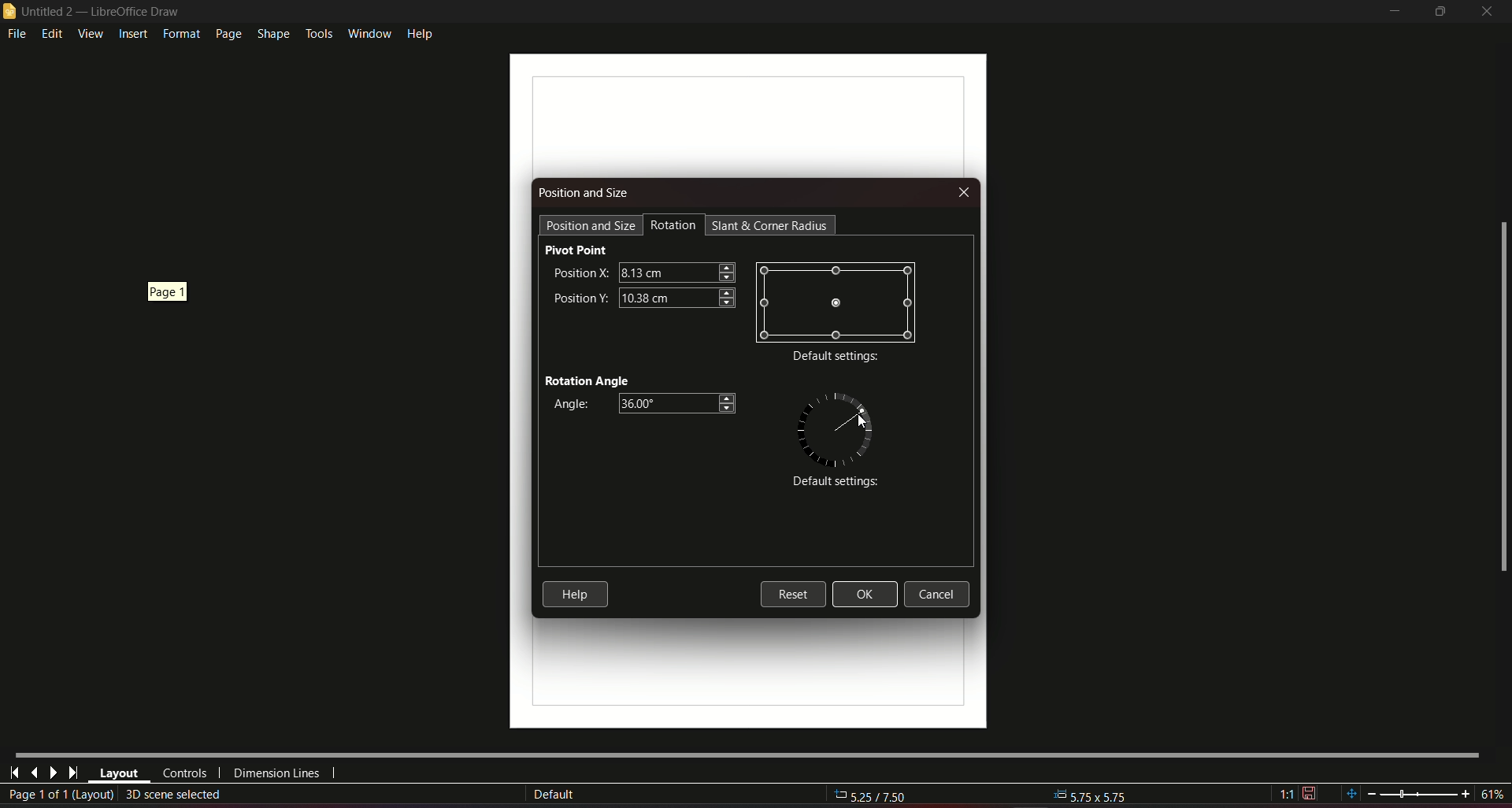  What do you see at coordinates (941, 595) in the screenshot?
I see `Cancel` at bounding box center [941, 595].